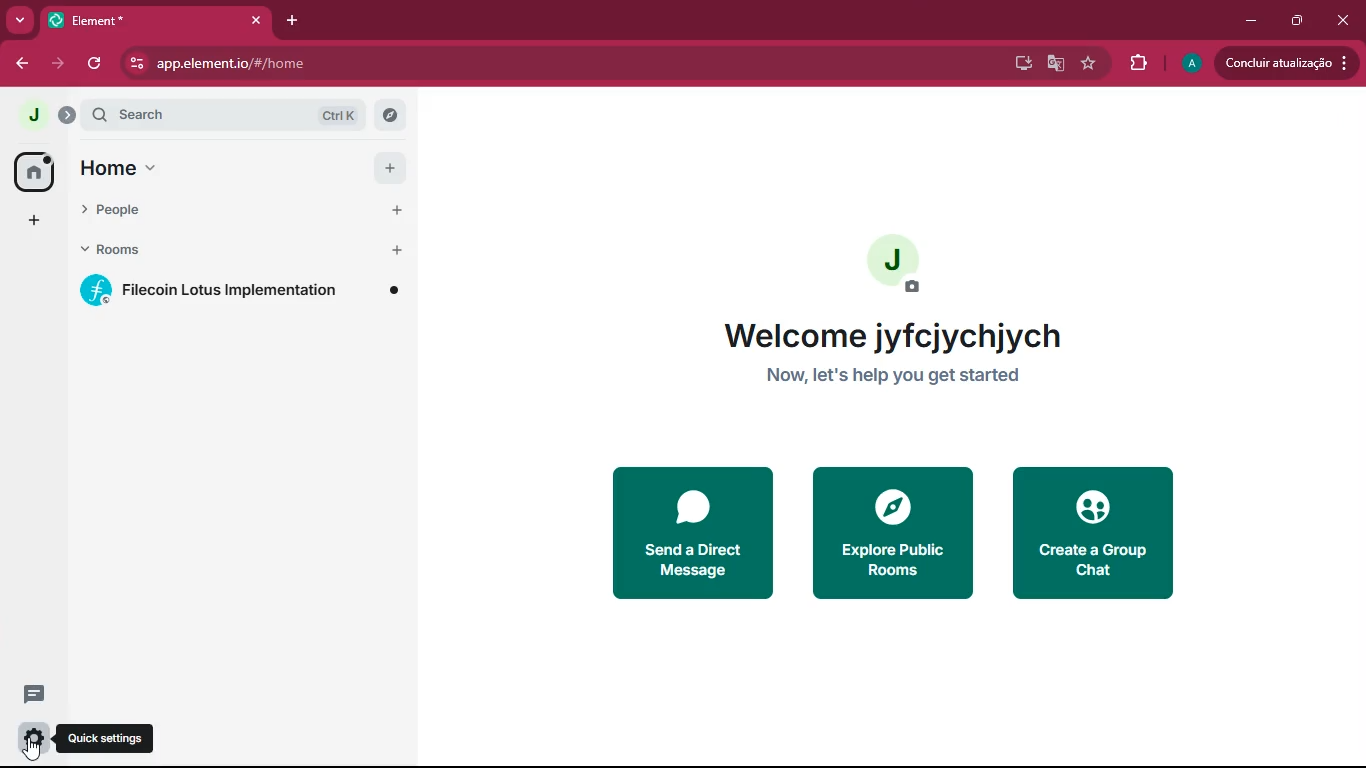 The width and height of the screenshot is (1366, 768). What do you see at coordinates (57, 63) in the screenshot?
I see `forward` at bounding box center [57, 63].